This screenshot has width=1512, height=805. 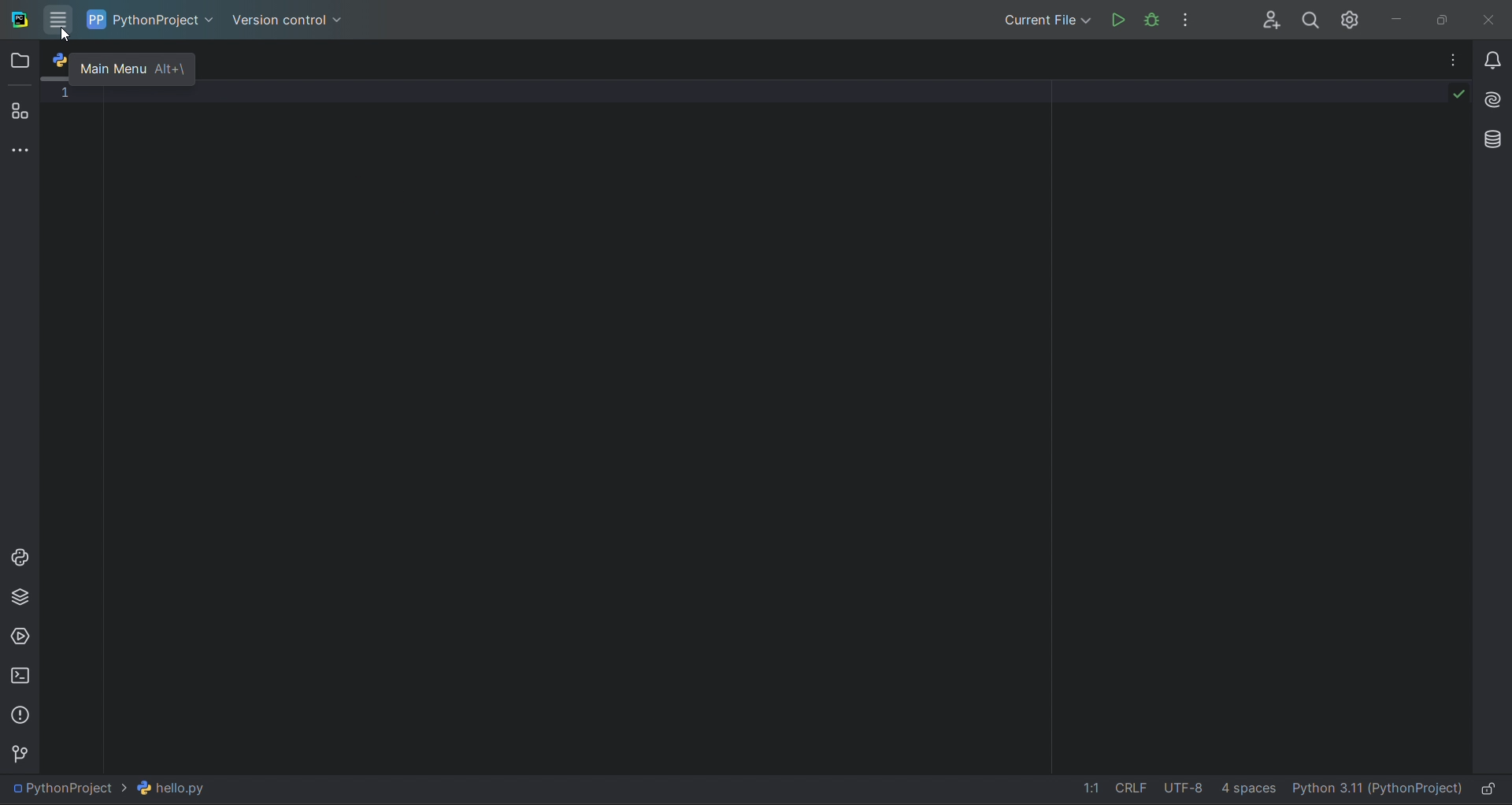 I want to click on code check, so click(x=1447, y=98).